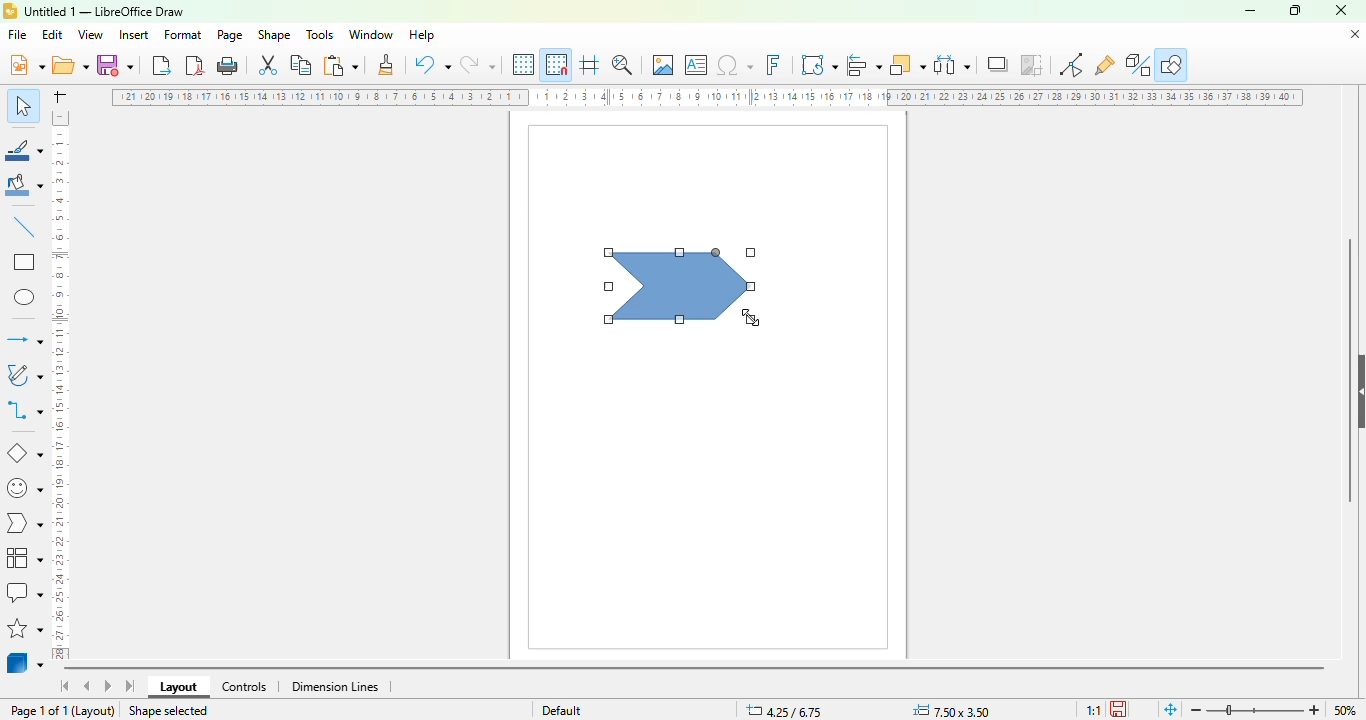 Image resolution: width=1366 pixels, height=720 pixels. What do you see at coordinates (1357, 392) in the screenshot?
I see `show` at bounding box center [1357, 392].